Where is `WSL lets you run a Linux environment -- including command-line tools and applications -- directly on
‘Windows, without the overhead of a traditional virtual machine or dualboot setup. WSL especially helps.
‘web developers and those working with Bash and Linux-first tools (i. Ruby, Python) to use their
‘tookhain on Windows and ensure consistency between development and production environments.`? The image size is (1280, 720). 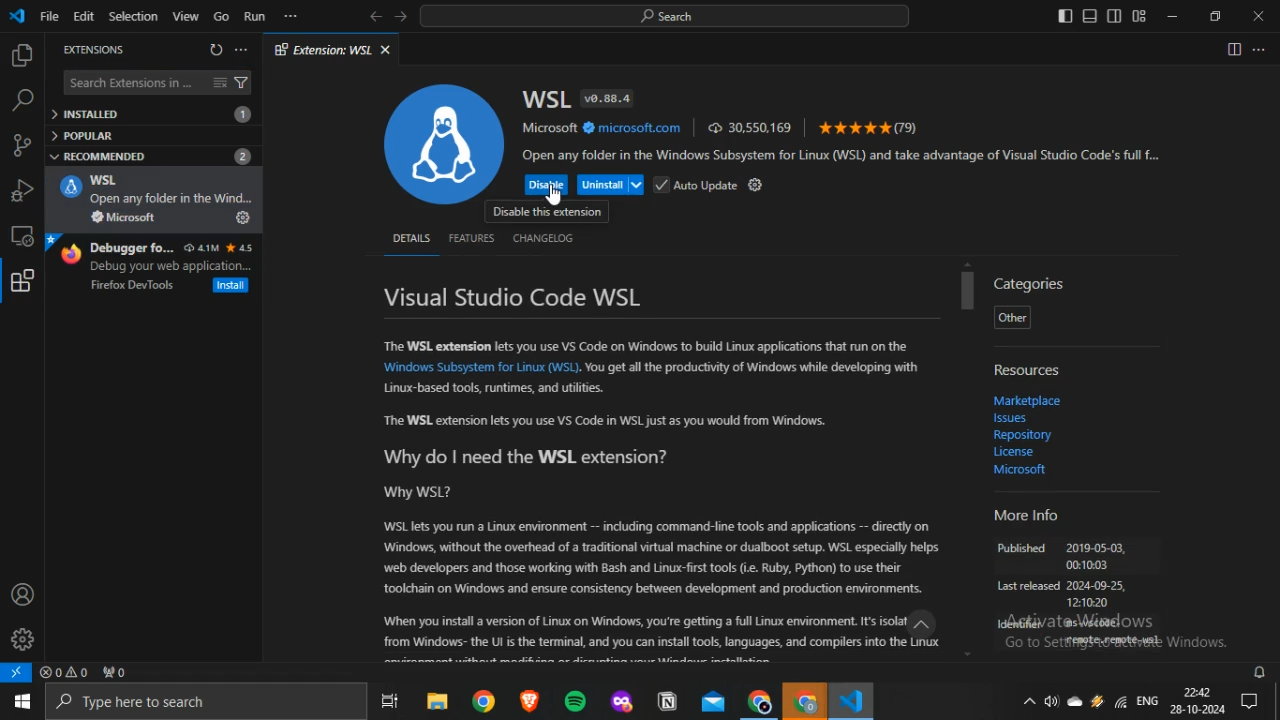
WSL lets you run a Linux environment -- including command-line tools and applications -- directly on
‘Windows, without the overhead of a traditional virtual machine or dualboot setup. WSL especially helps.
‘web developers and those working with Bash and Linux-first tools (i. Ruby, Python) to use their
‘tookhain on Windows and ensure consistency between development and production environments. is located at coordinates (662, 559).